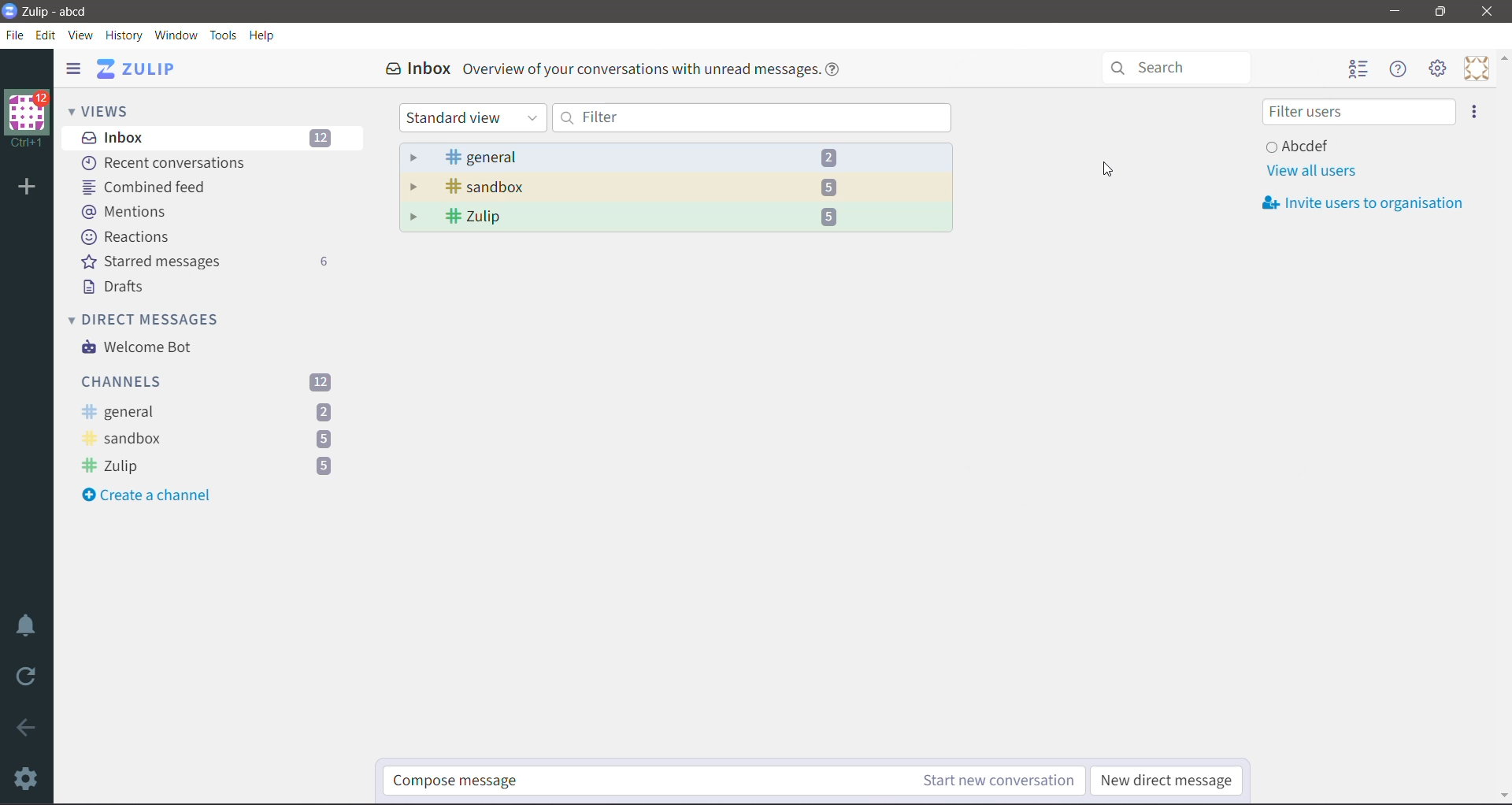 The width and height of the screenshot is (1512, 805). Describe the element at coordinates (212, 138) in the screenshot. I see `Inbox` at that location.